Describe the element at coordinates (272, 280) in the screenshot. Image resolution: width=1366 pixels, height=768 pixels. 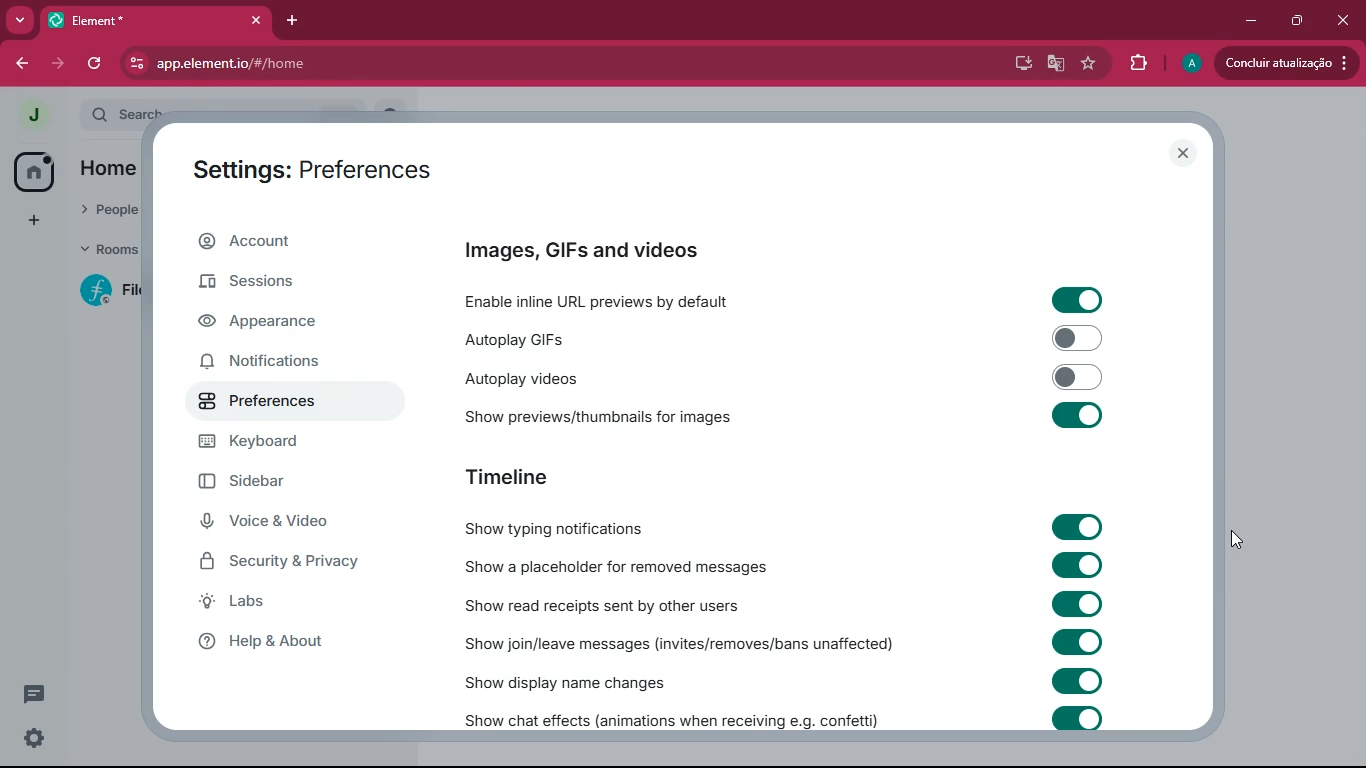
I see `sessions` at that location.